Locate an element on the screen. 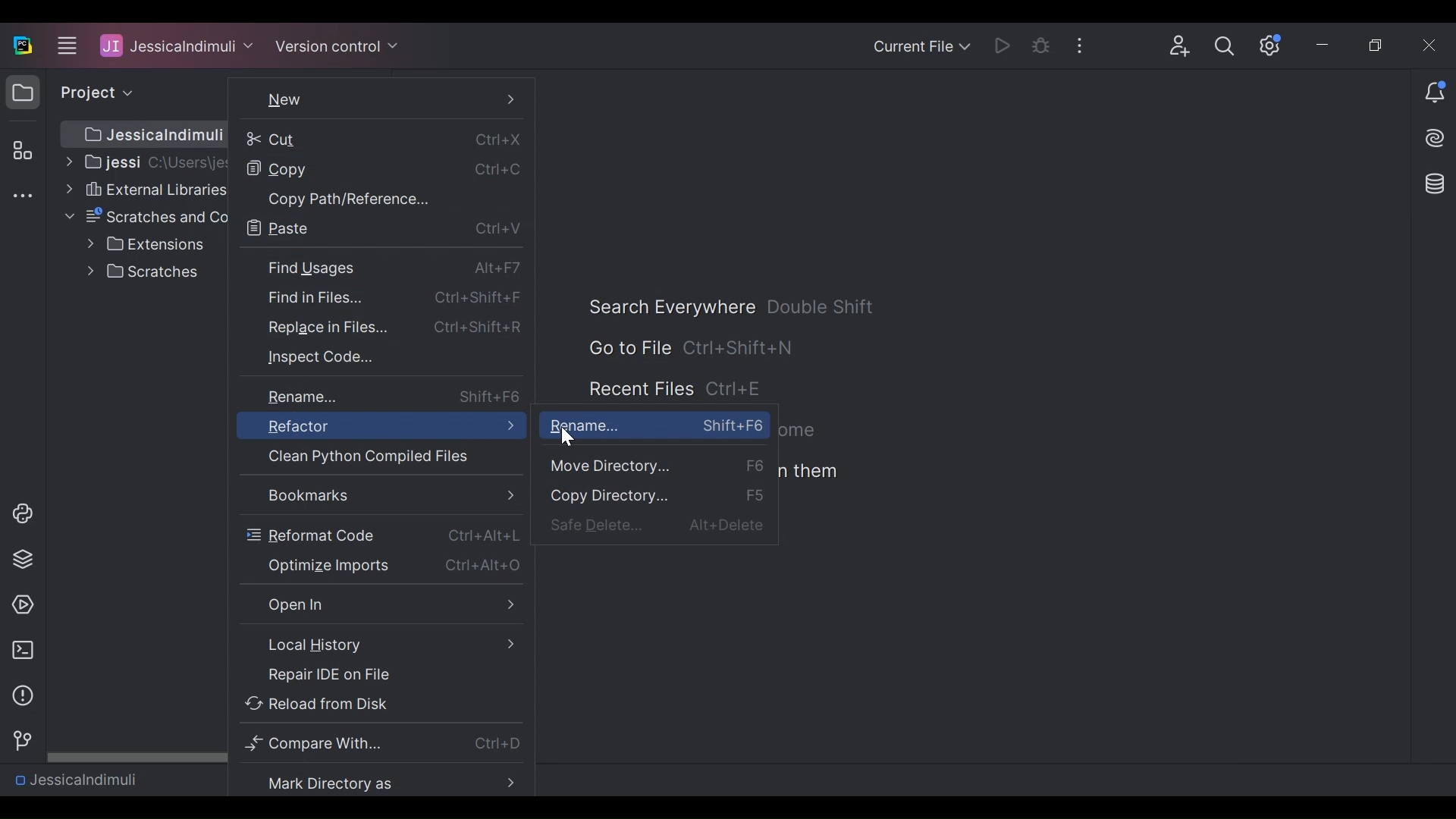 The width and height of the screenshot is (1456, 819). version control is located at coordinates (18, 741).